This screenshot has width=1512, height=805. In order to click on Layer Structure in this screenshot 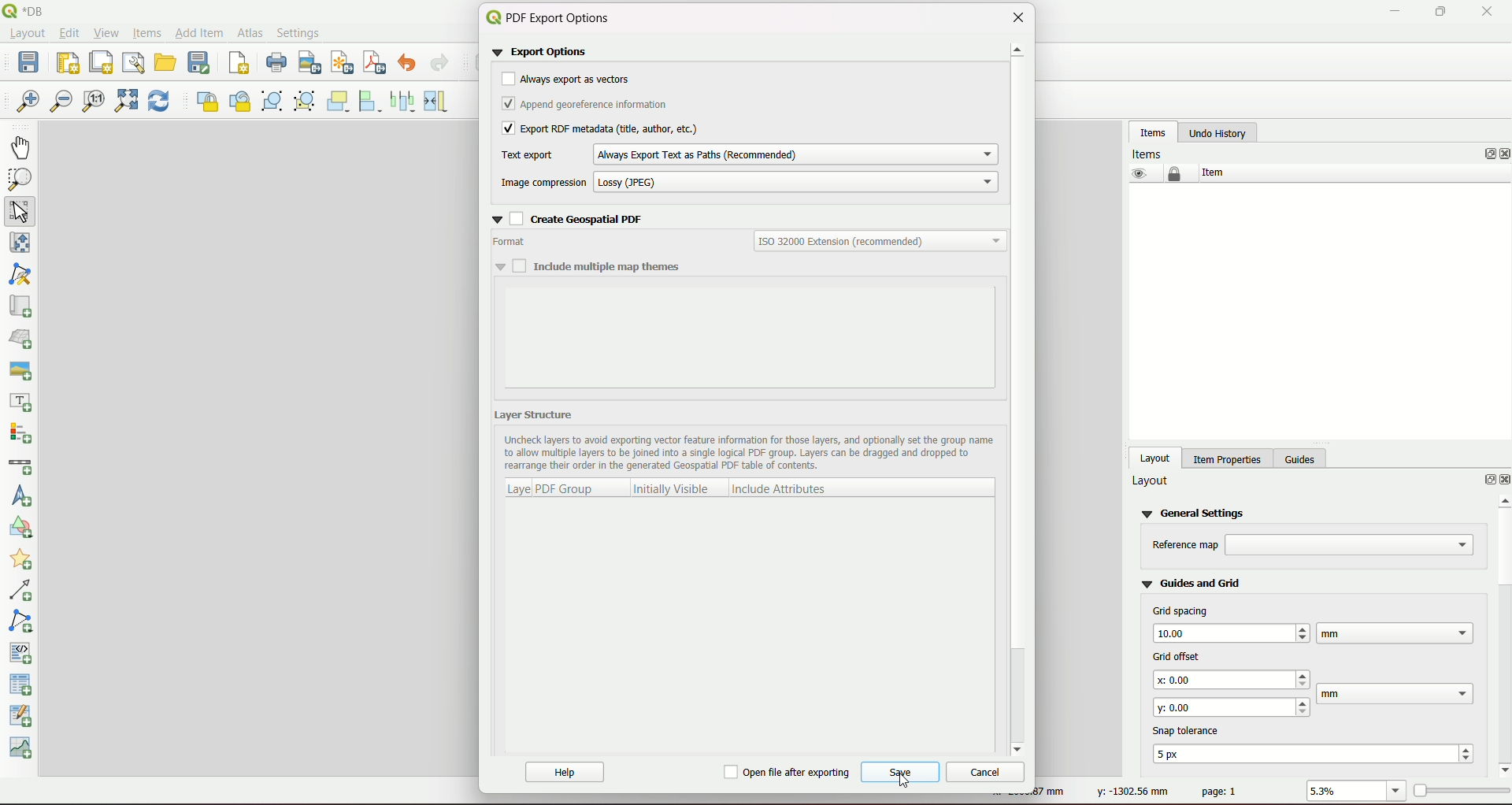, I will do `click(540, 415)`.